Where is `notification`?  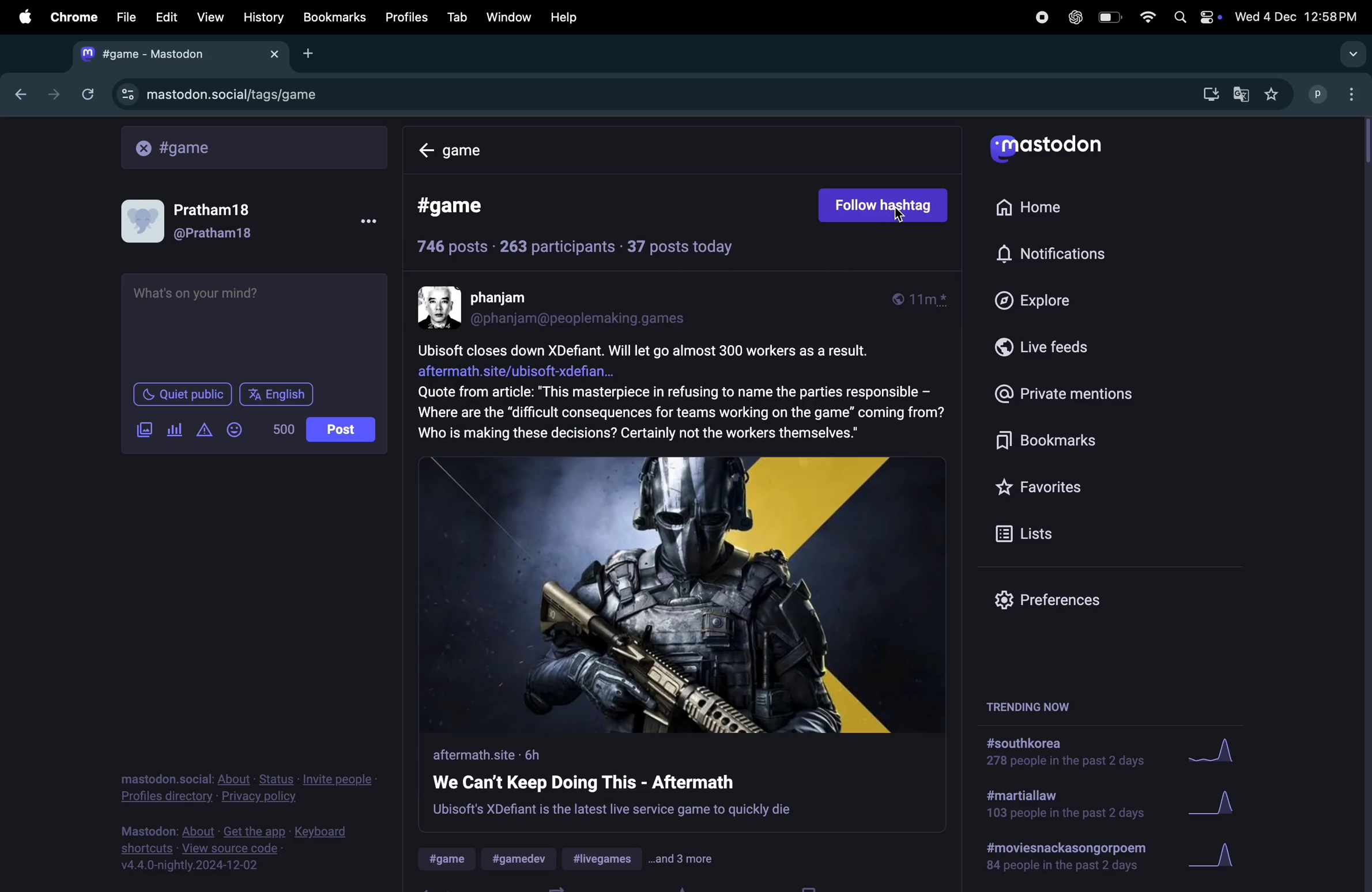
notification is located at coordinates (1053, 255).